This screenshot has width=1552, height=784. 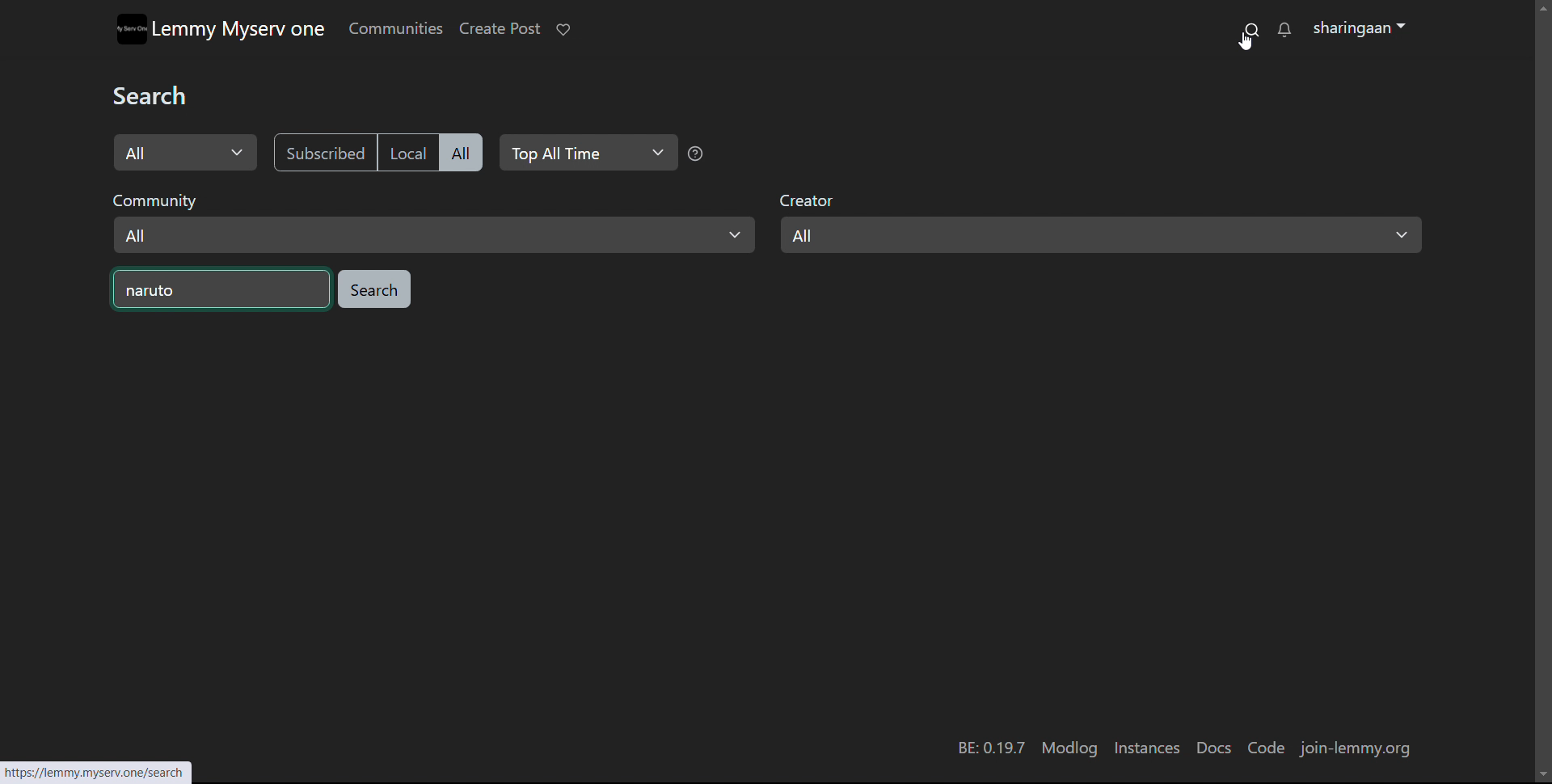 What do you see at coordinates (991, 747) in the screenshot?
I see `version` at bounding box center [991, 747].